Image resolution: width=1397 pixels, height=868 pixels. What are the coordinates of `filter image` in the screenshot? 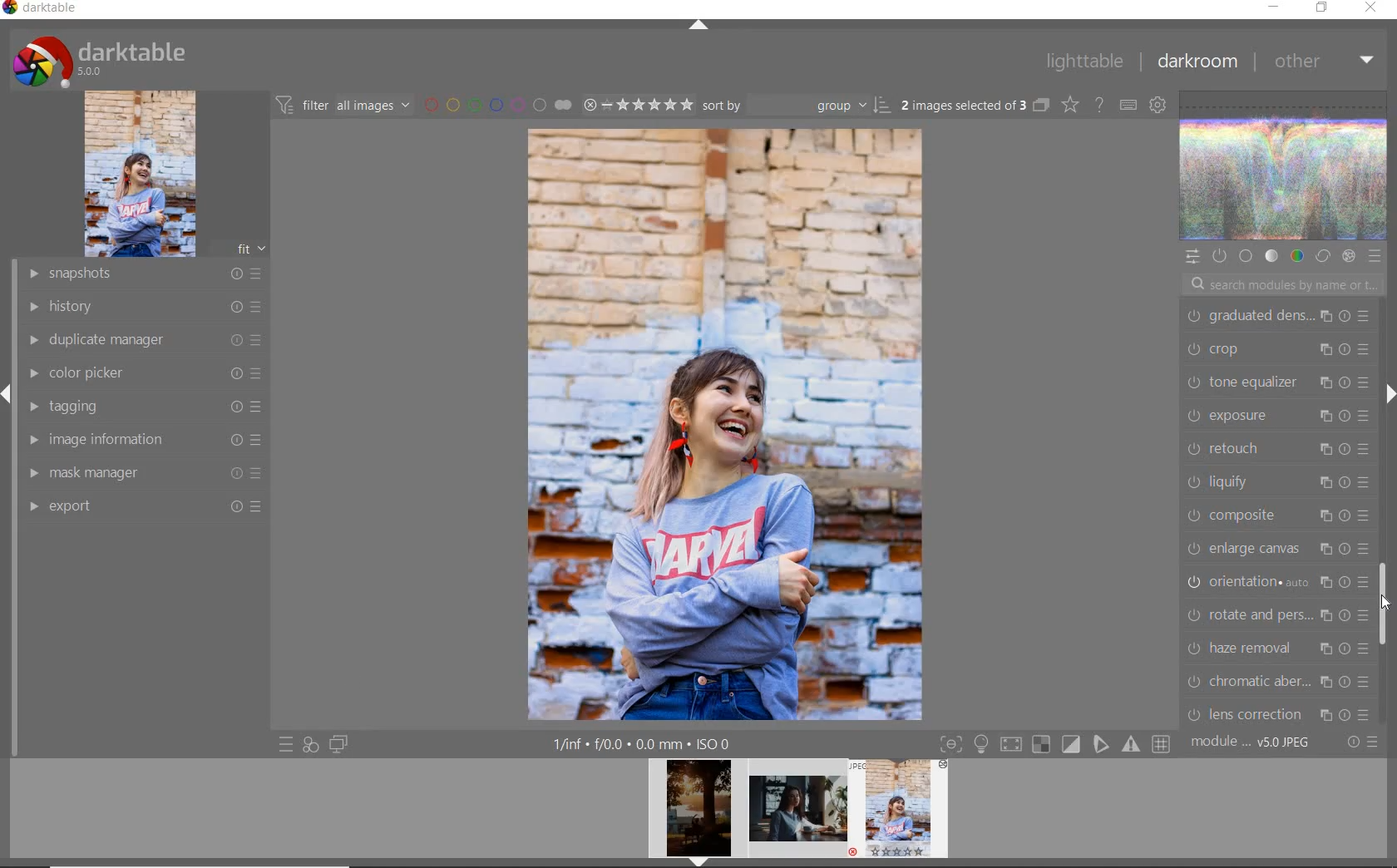 It's located at (343, 104).